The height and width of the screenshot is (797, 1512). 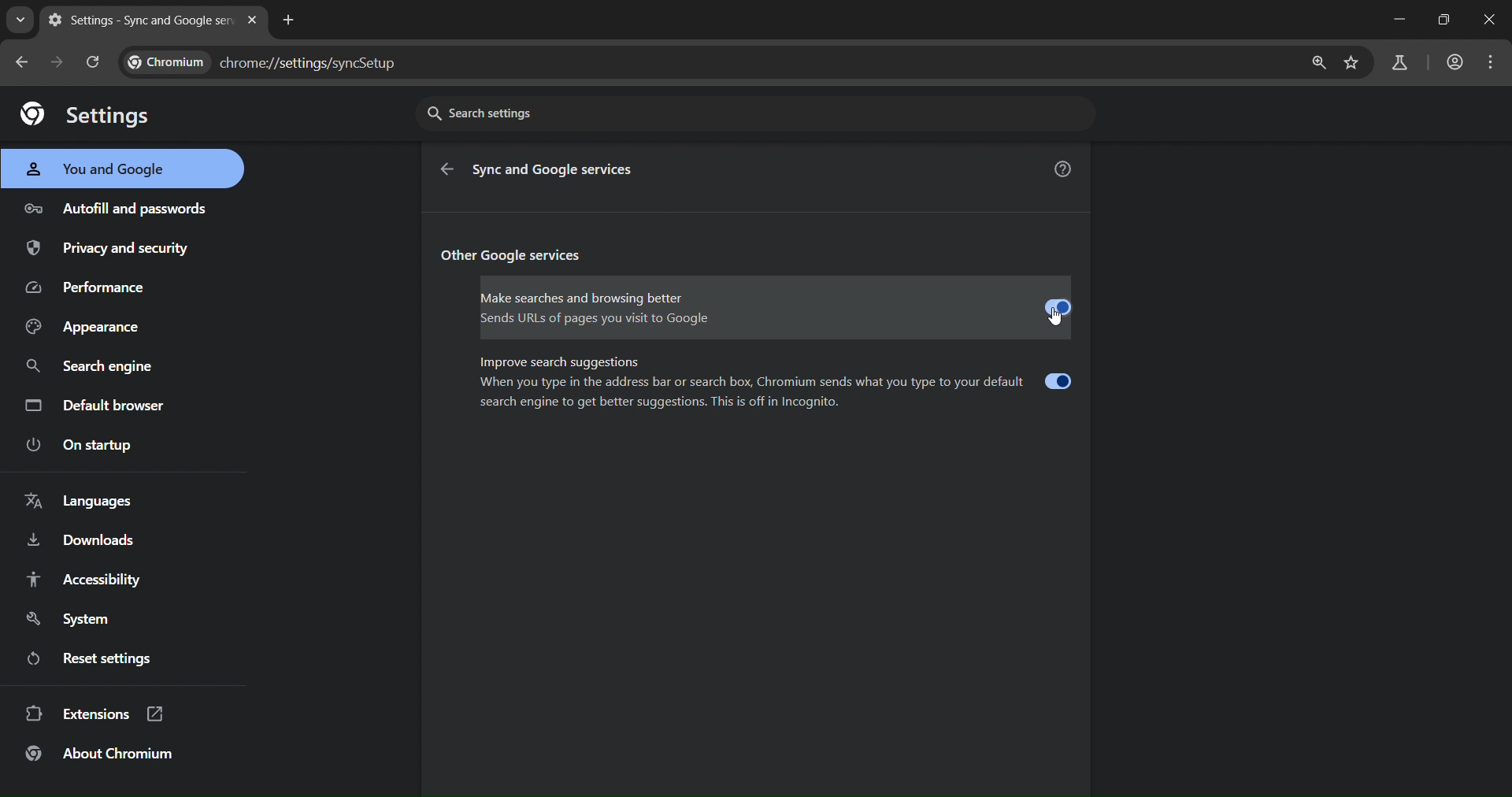 What do you see at coordinates (1493, 21) in the screenshot?
I see `close` at bounding box center [1493, 21].